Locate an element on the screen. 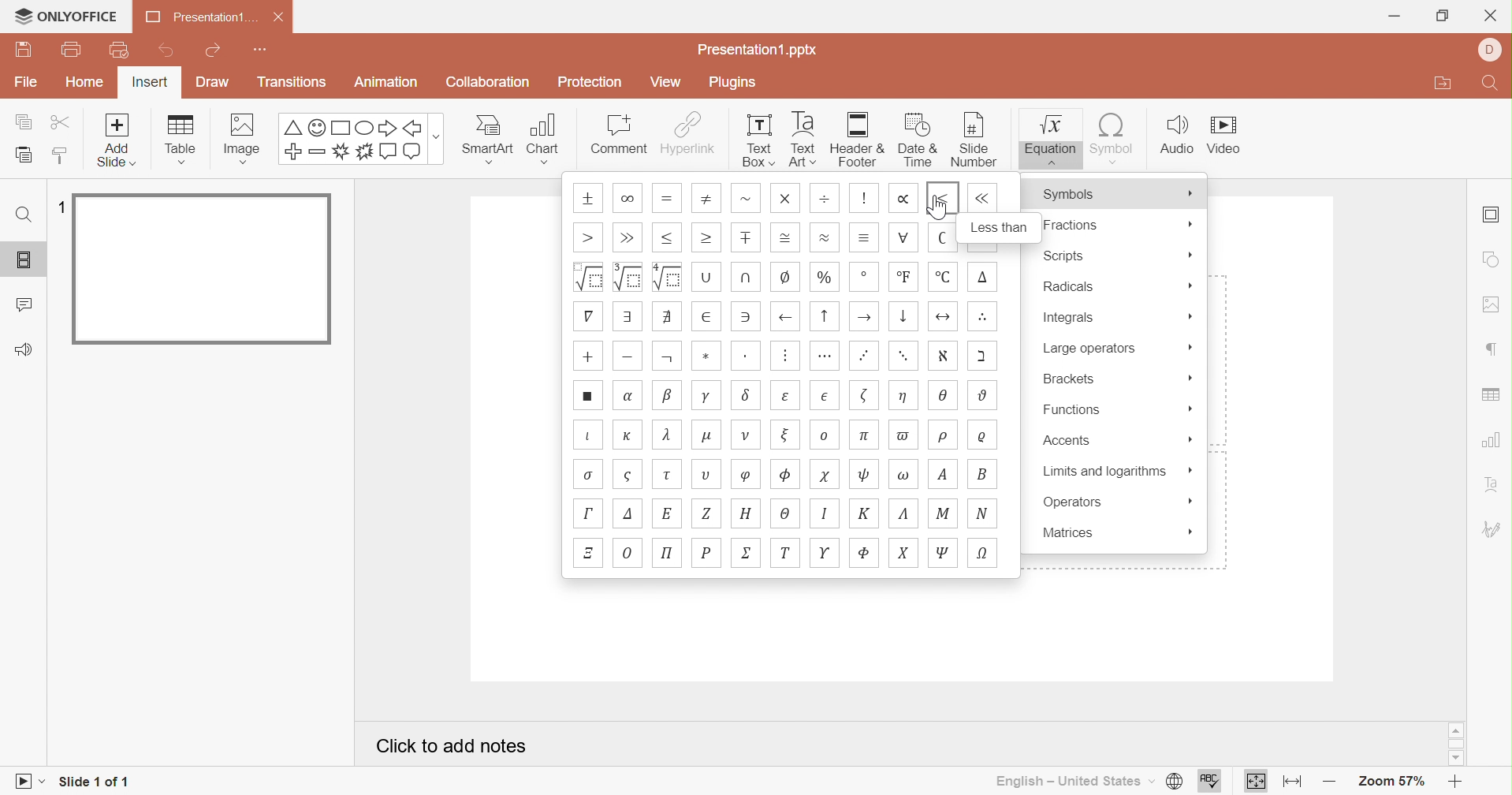 The image size is (1512, 795). Presentation.pptx is located at coordinates (762, 50).